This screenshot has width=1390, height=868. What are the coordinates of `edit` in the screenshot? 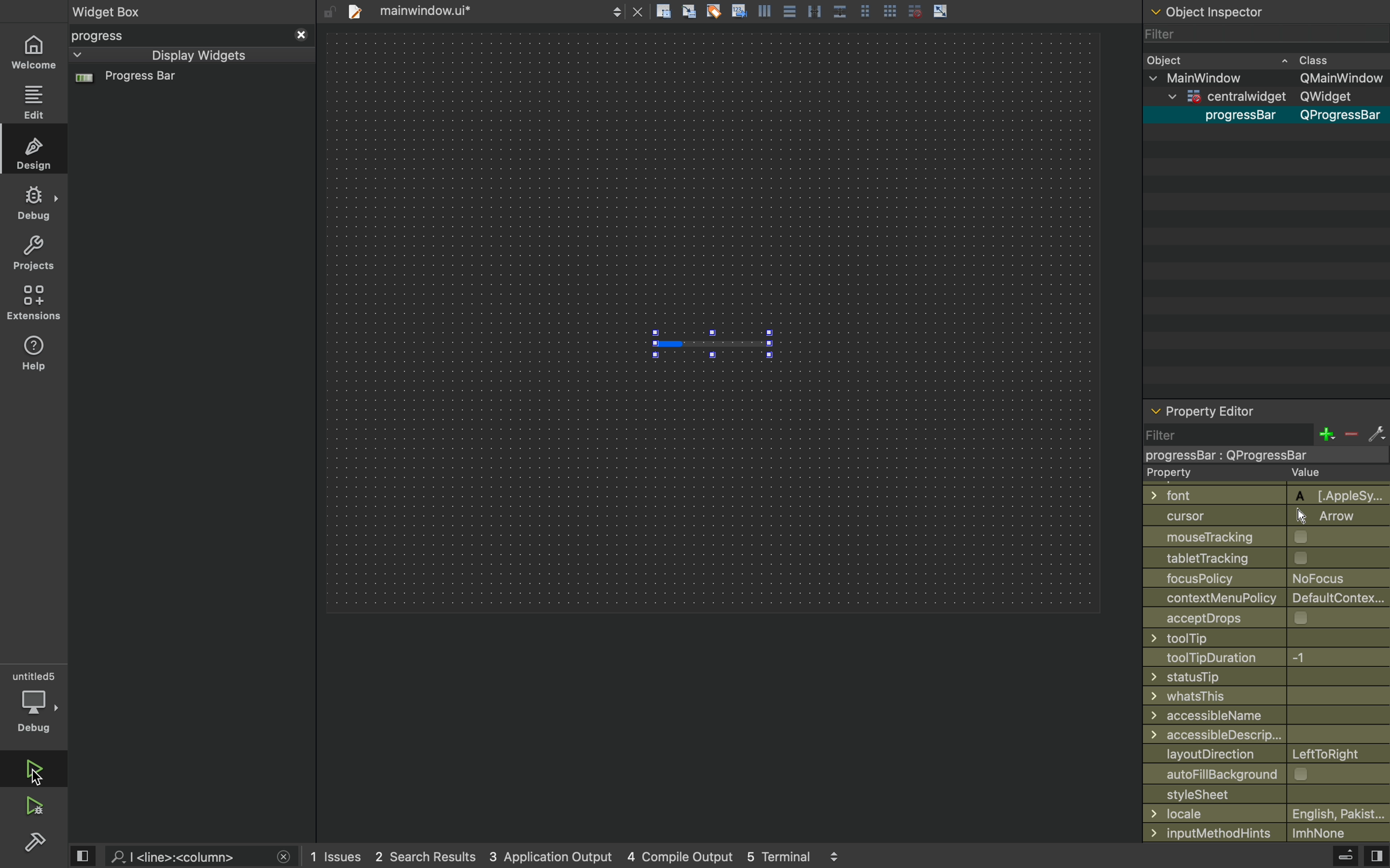 It's located at (36, 152).